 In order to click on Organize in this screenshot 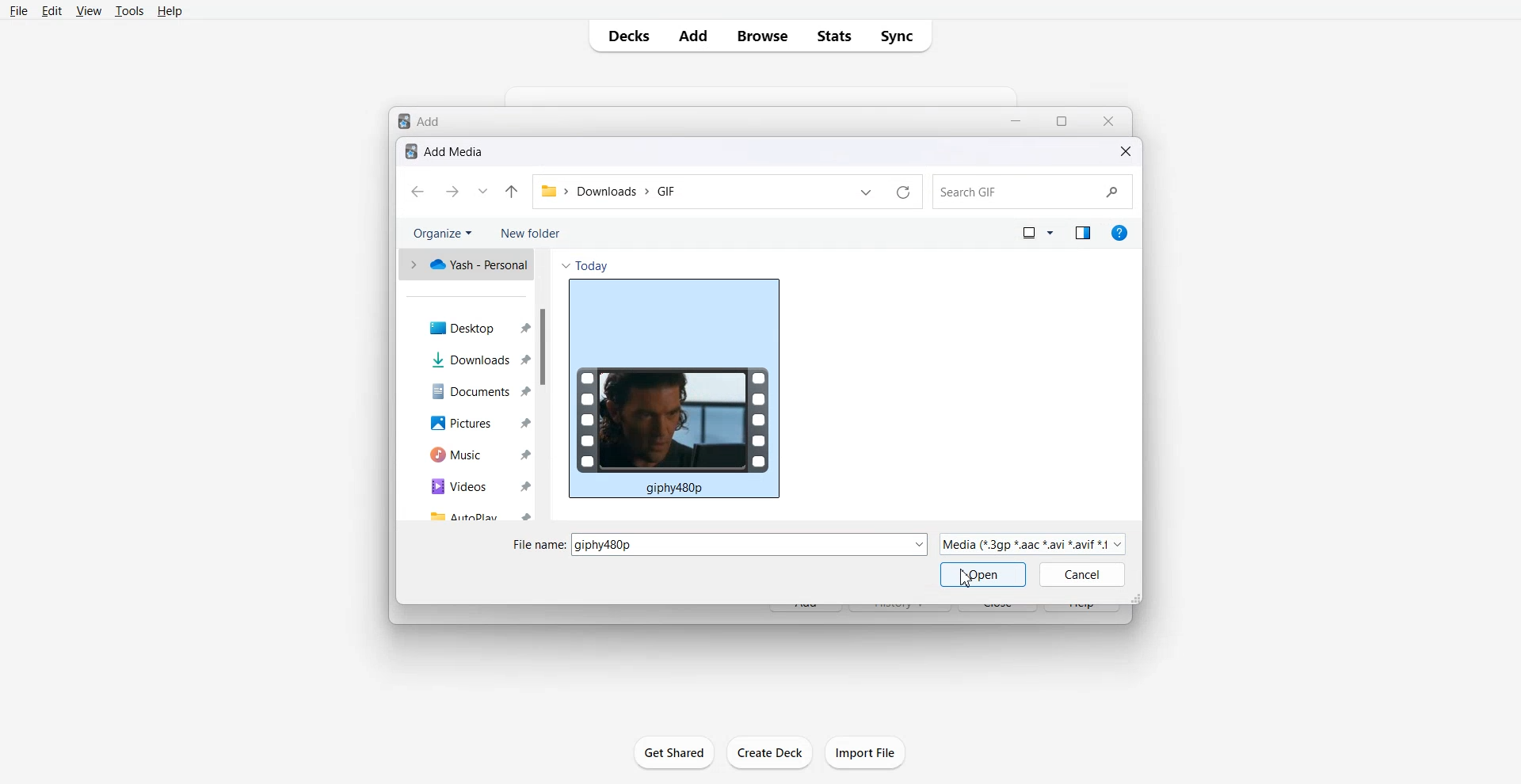, I will do `click(440, 234)`.